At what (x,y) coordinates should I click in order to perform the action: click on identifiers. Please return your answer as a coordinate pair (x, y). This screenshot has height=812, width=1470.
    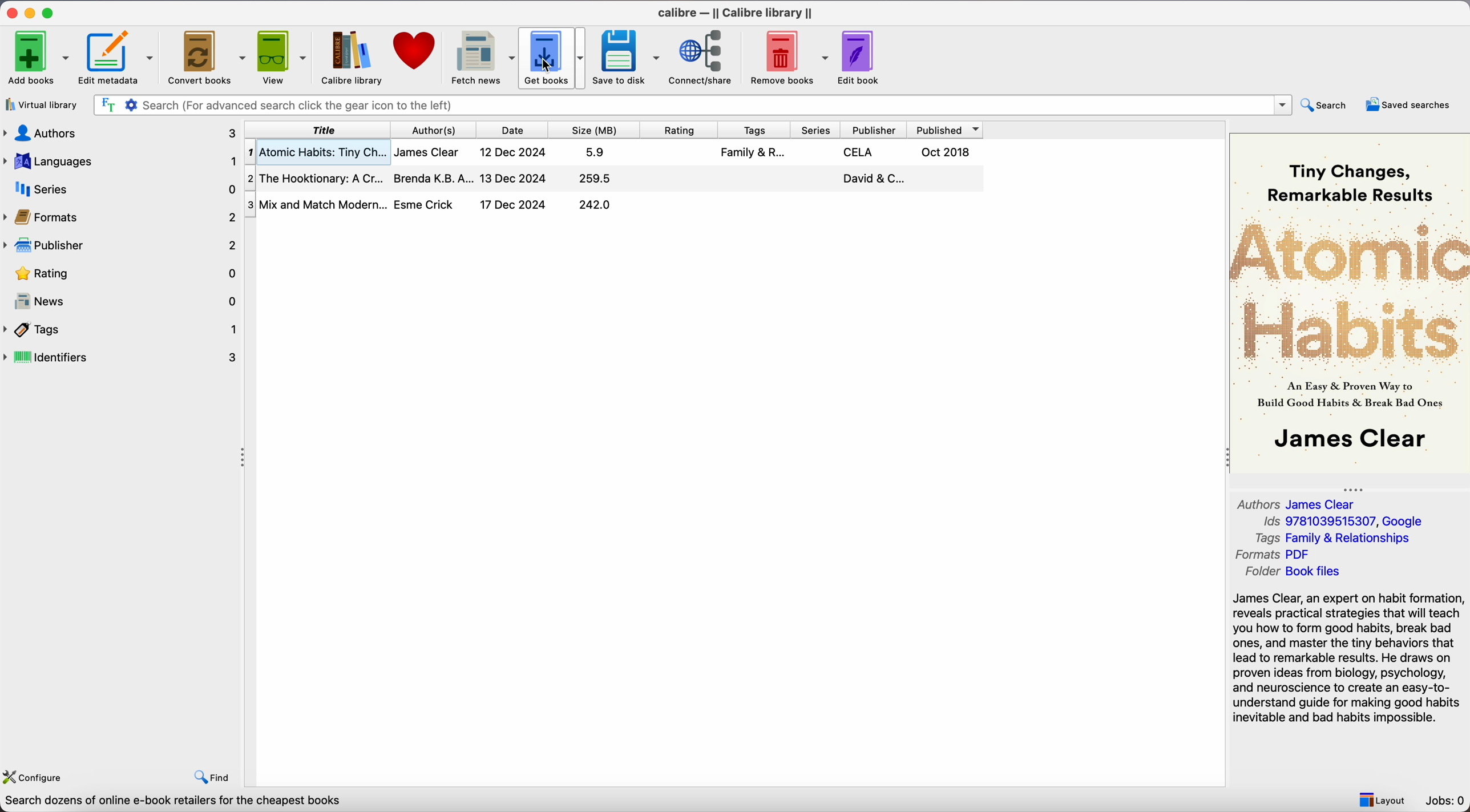
    Looking at the image, I should click on (126, 356).